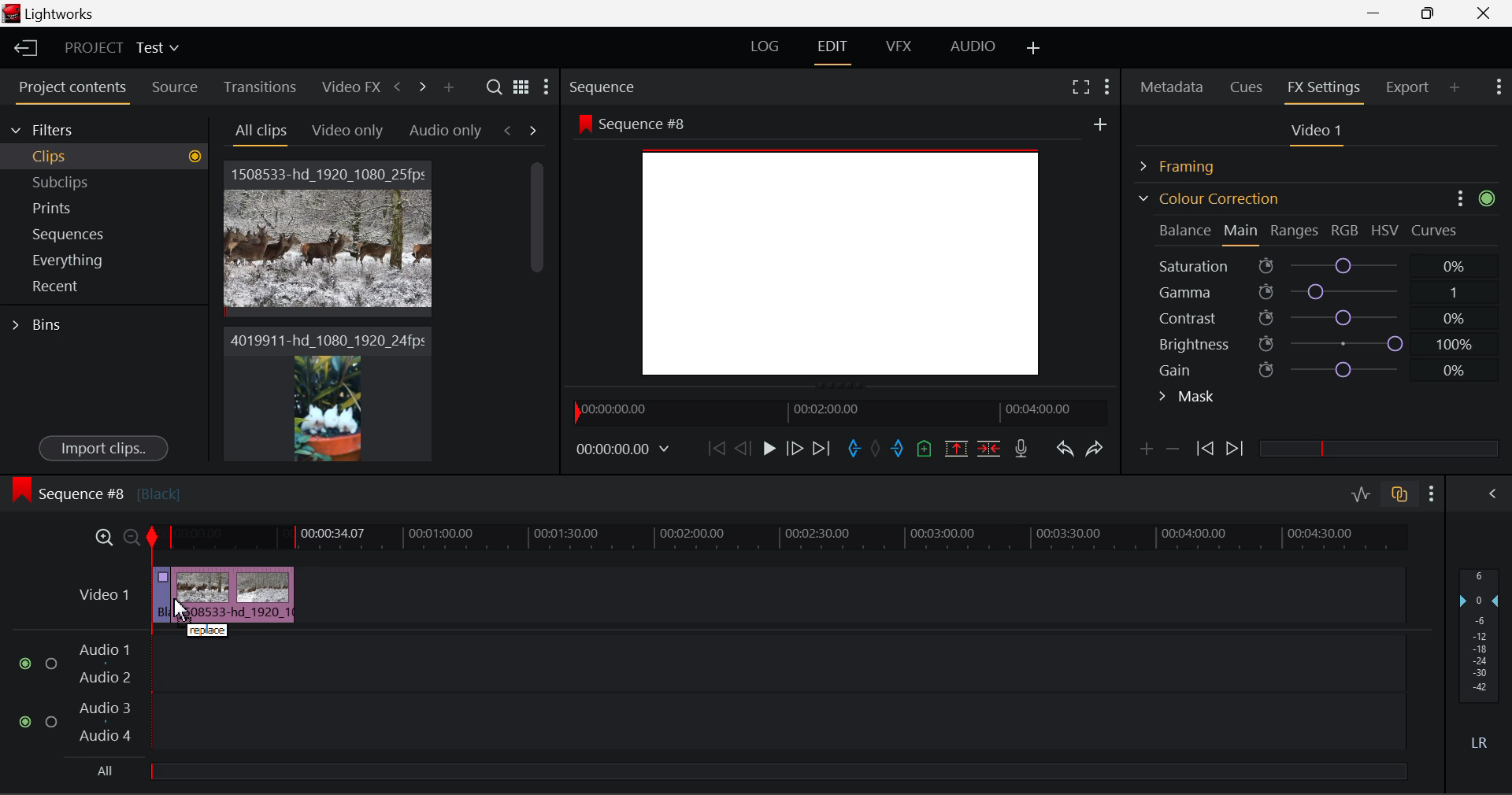 The width and height of the screenshot is (1512, 795). I want to click on Source, so click(175, 87).